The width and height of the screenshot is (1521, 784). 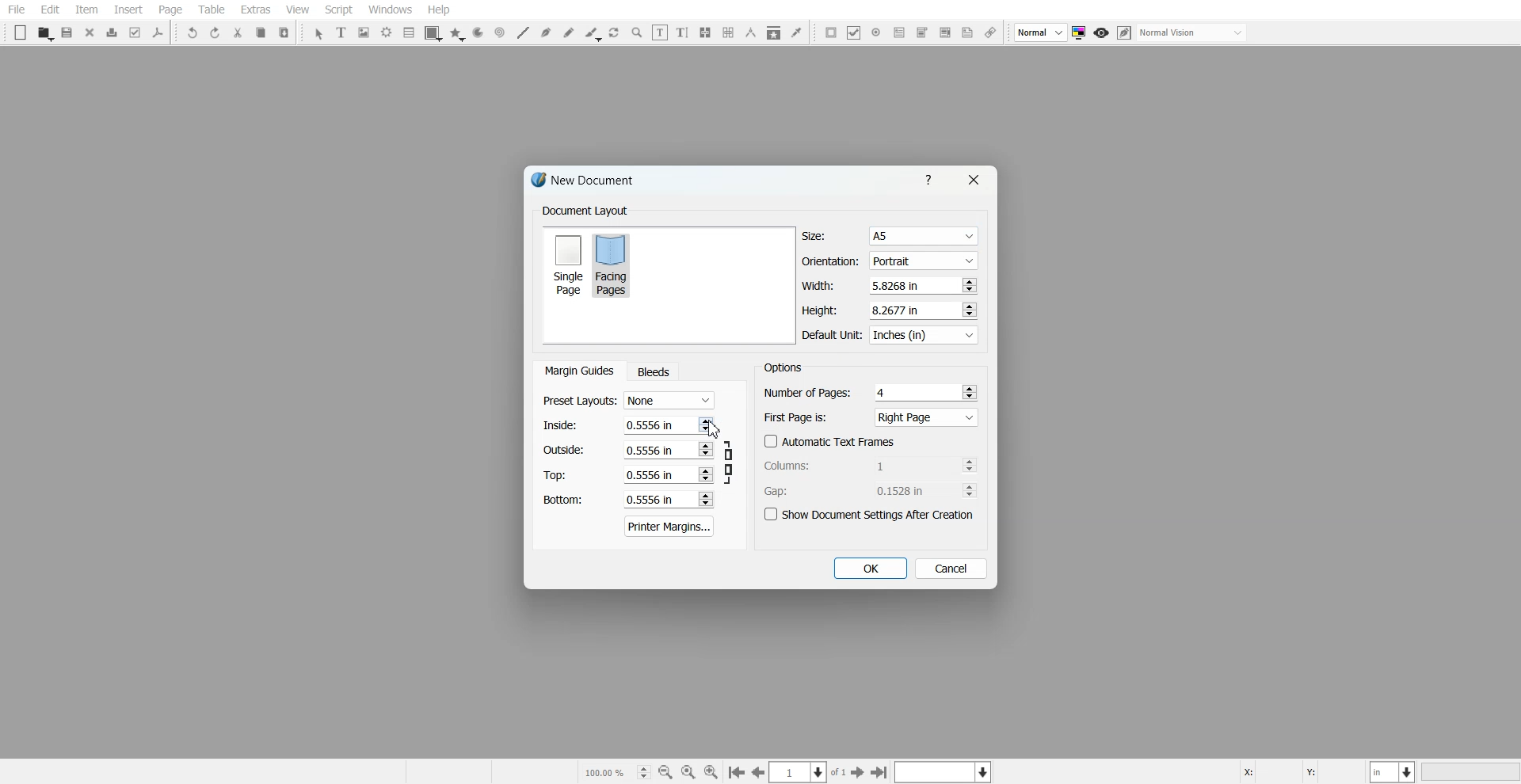 What do you see at coordinates (922, 260) in the screenshot?
I see `Portrait` at bounding box center [922, 260].